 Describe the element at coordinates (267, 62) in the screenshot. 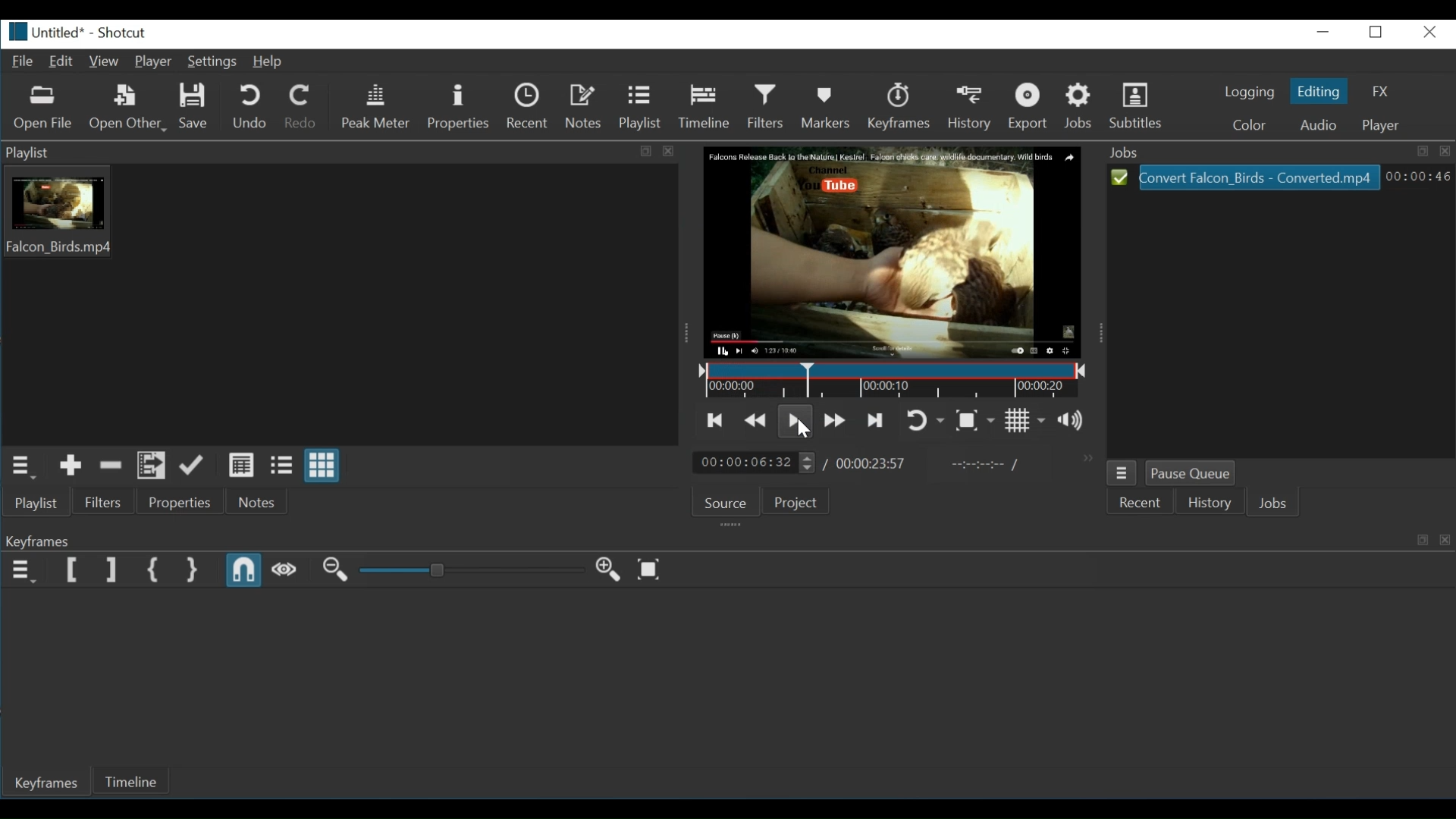

I see `Help` at that location.